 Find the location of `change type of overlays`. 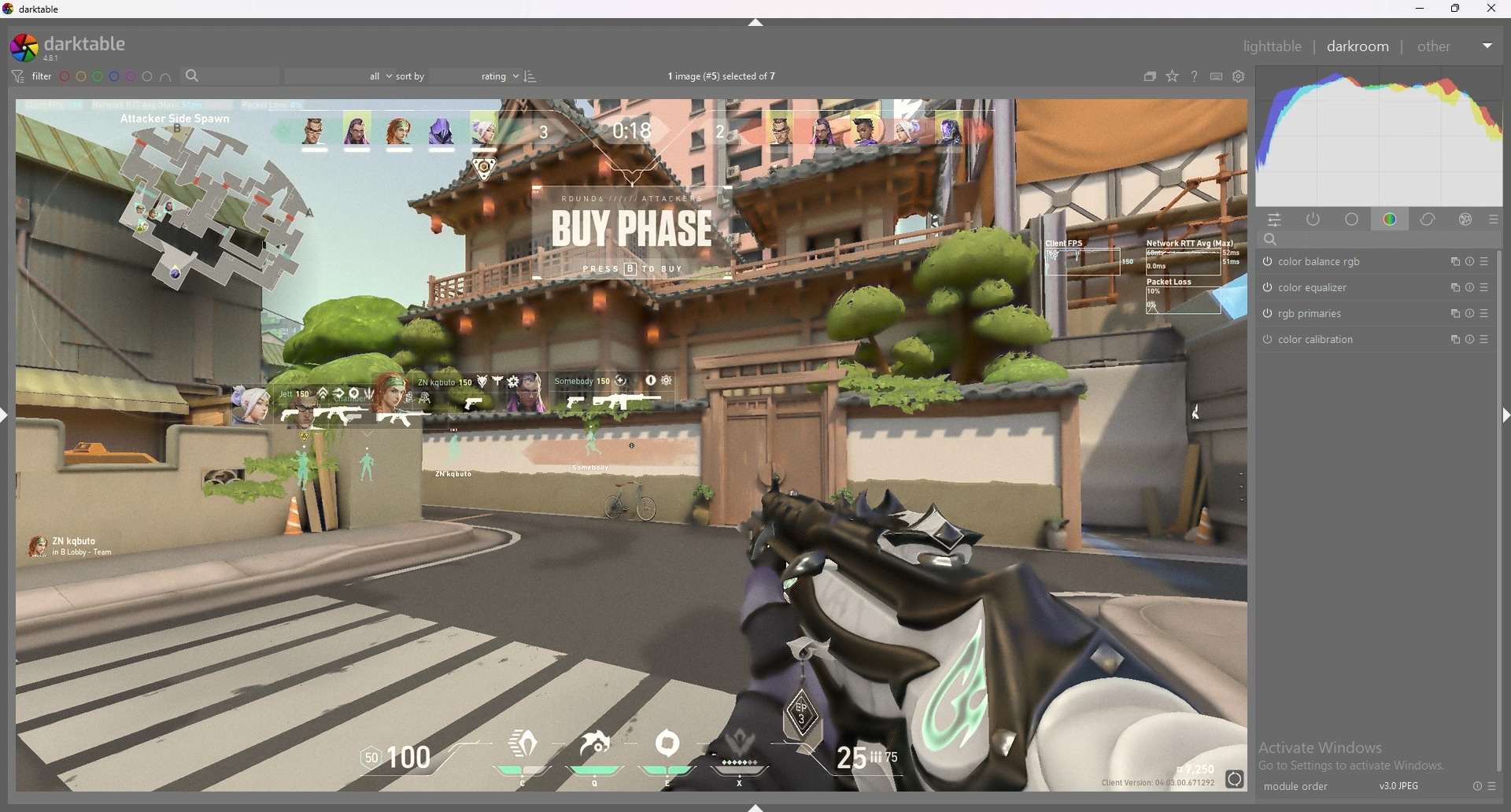

change type of overlays is located at coordinates (1172, 77).